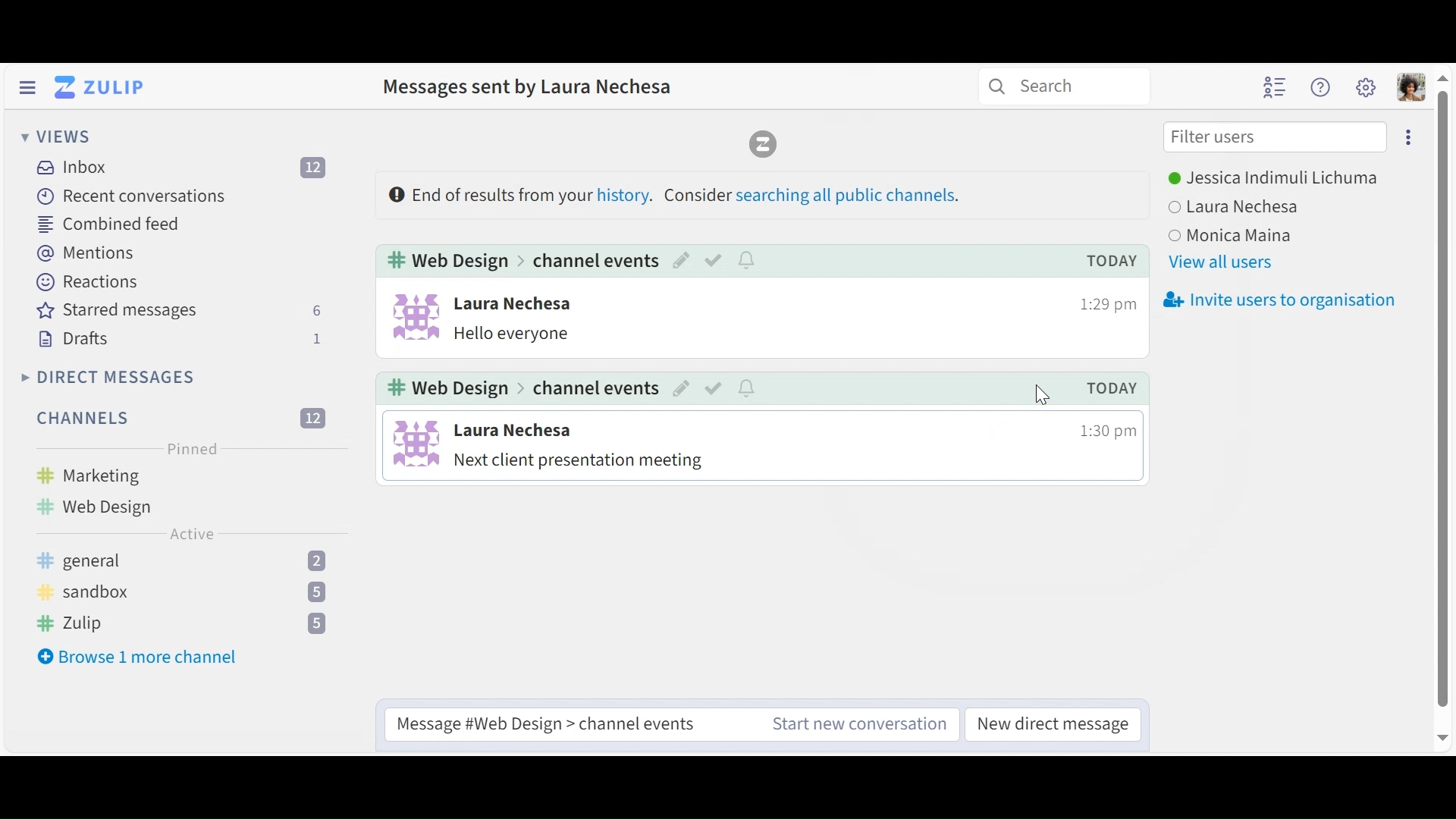 The image size is (1456, 819). What do you see at coordinates (184, 562) in the screenshot?
I see `general` at bounding box center [184, 562].